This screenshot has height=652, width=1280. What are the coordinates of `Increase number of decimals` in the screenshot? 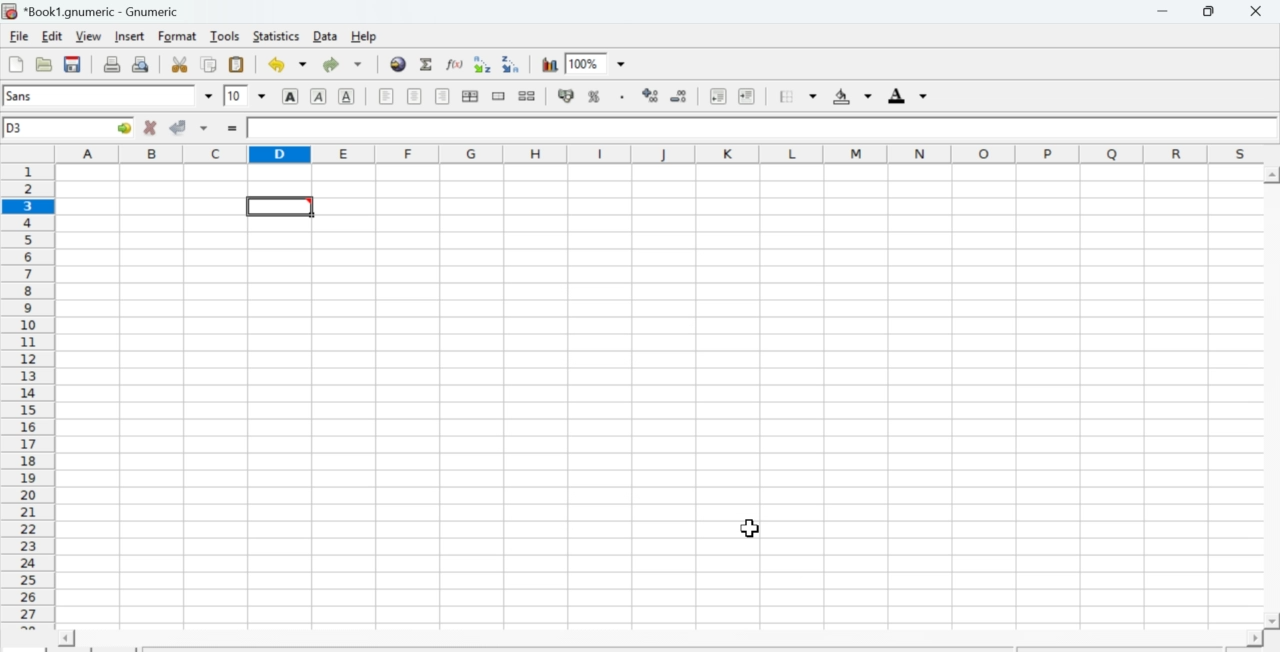 It's located at (651, 95).